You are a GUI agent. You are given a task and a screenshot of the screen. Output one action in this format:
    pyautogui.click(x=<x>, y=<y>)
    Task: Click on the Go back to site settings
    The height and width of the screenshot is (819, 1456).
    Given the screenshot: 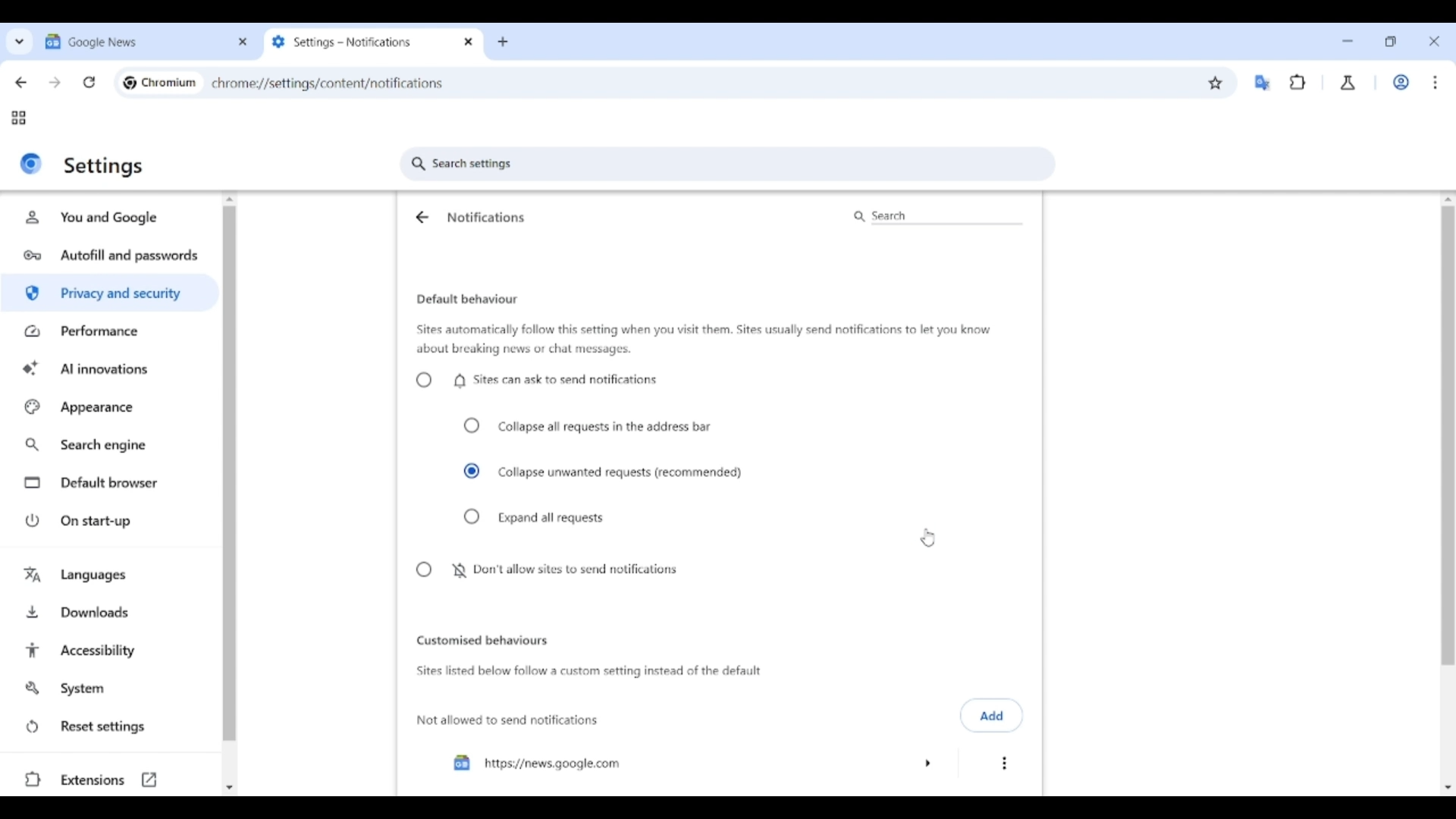 What is the action you would take?
    pyautogui.click(x=421, y=217)
    